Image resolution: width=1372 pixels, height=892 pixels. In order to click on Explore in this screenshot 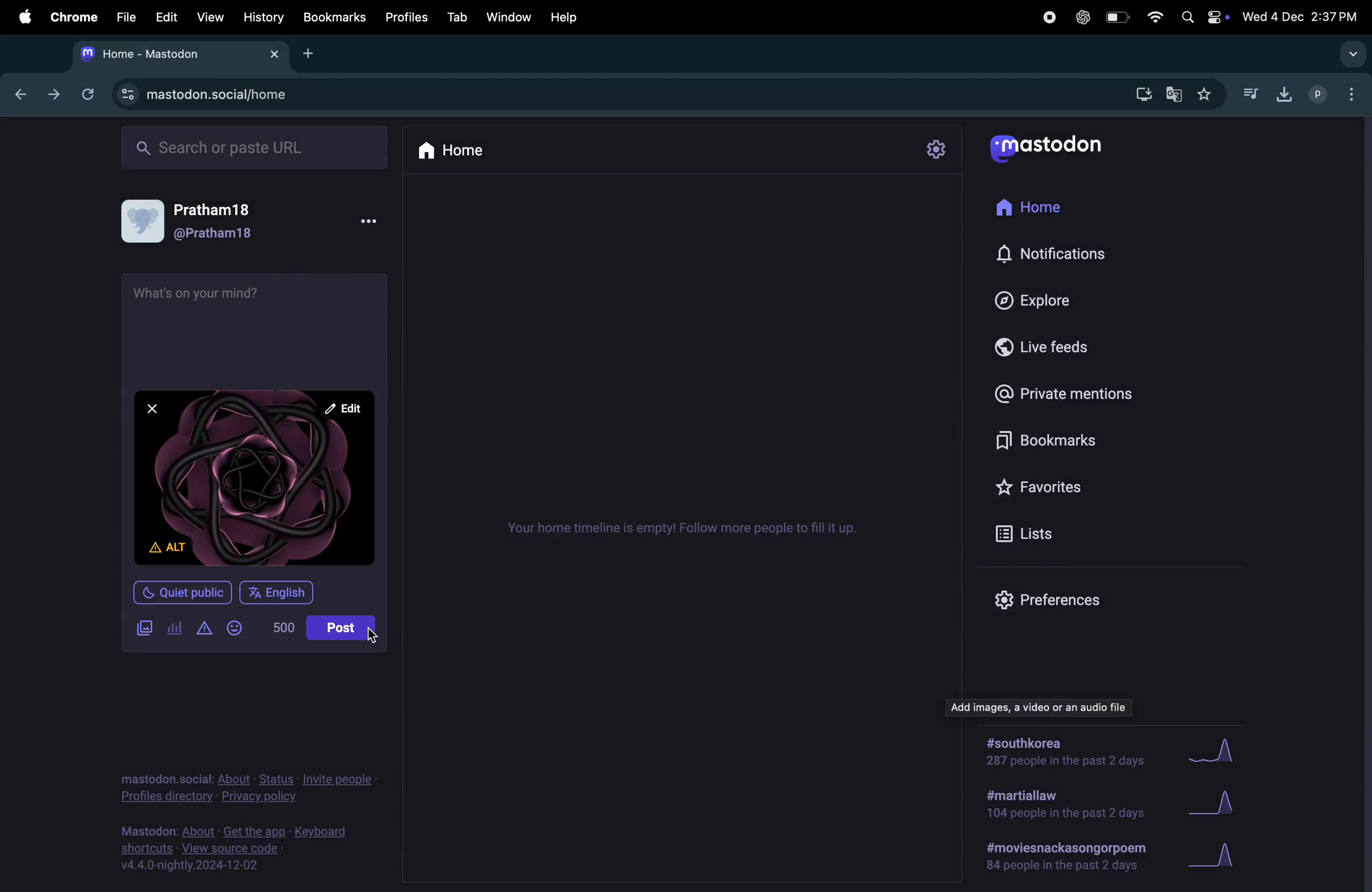, I will do `click(1043, 300)`.